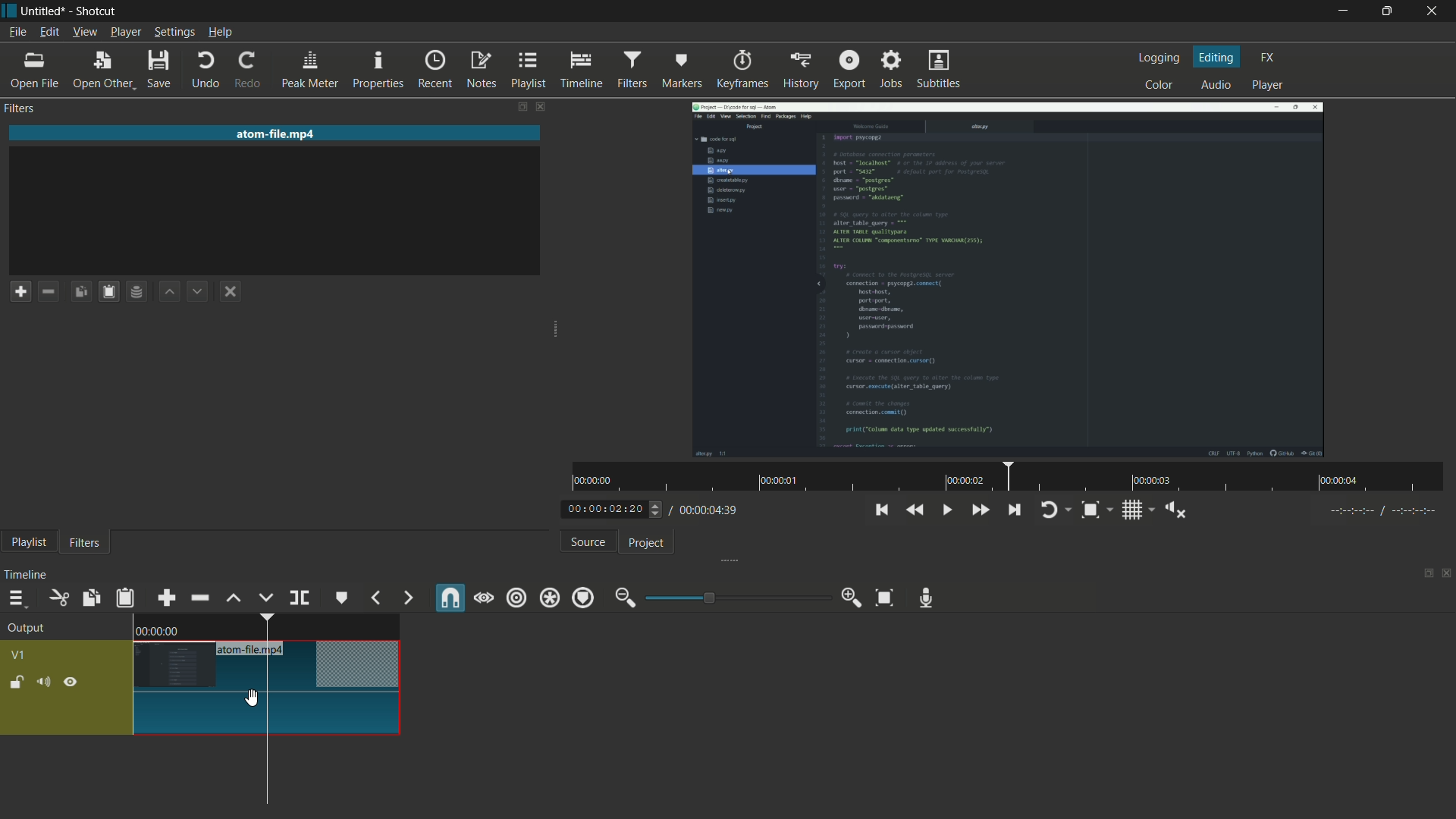  I want to click on save filter set, so click(136, 292).